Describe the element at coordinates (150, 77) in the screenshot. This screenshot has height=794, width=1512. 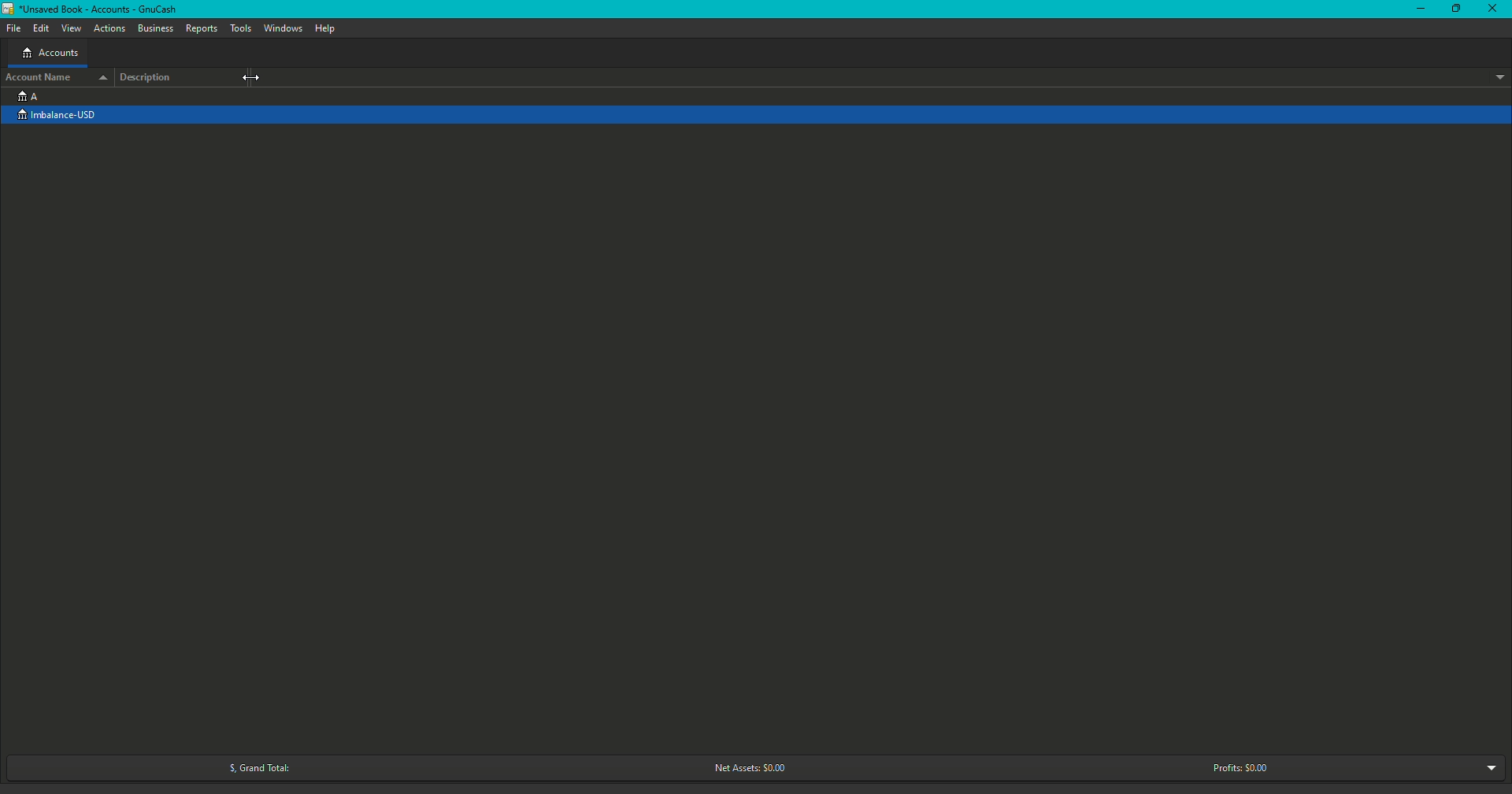
I see `Description` at that location.